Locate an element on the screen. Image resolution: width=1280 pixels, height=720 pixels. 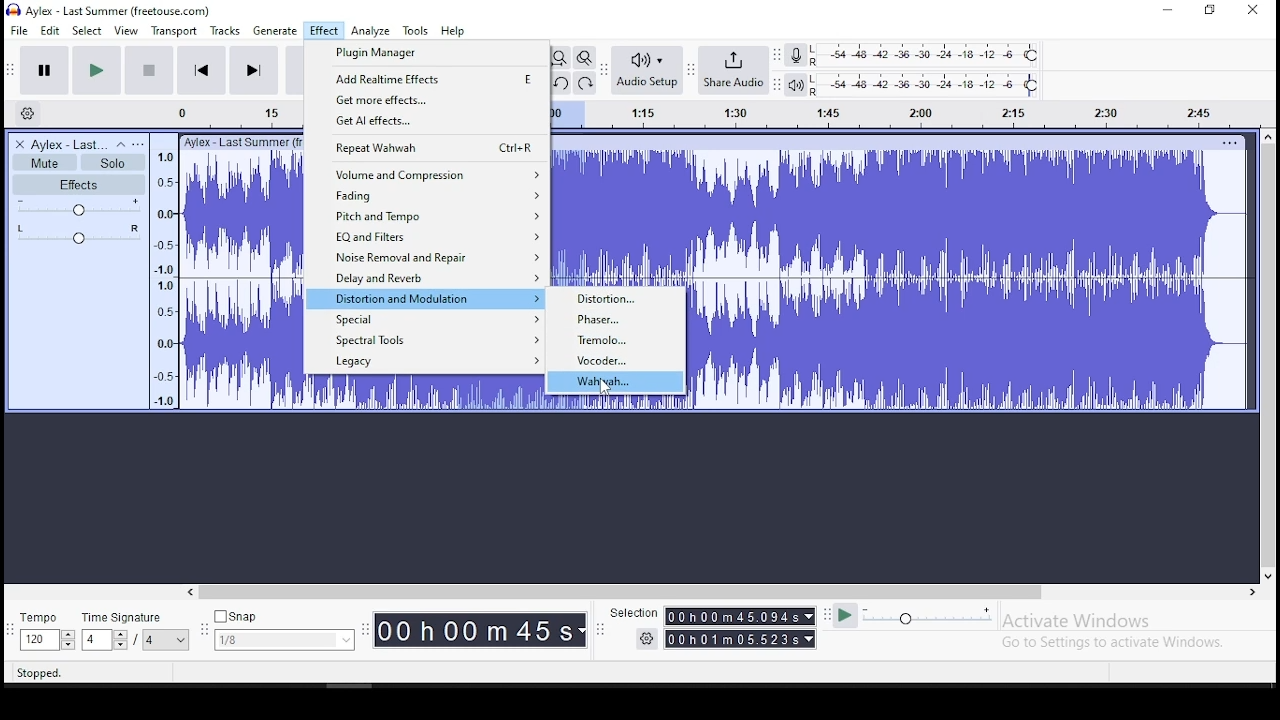
scroll bar is located at coordinates (1268, 356).